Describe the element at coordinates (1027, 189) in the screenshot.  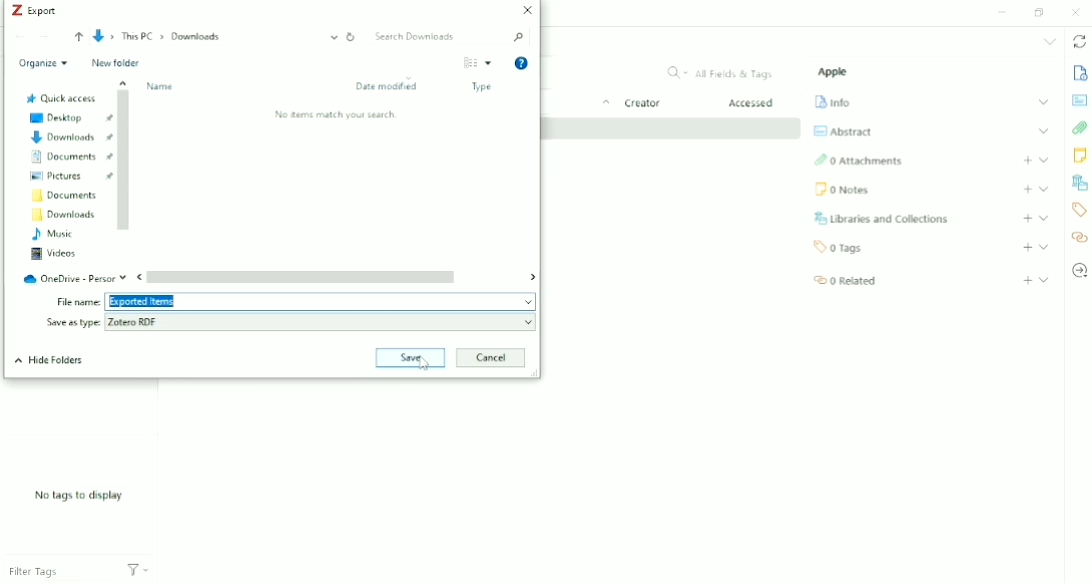
I see `Add` at that location.